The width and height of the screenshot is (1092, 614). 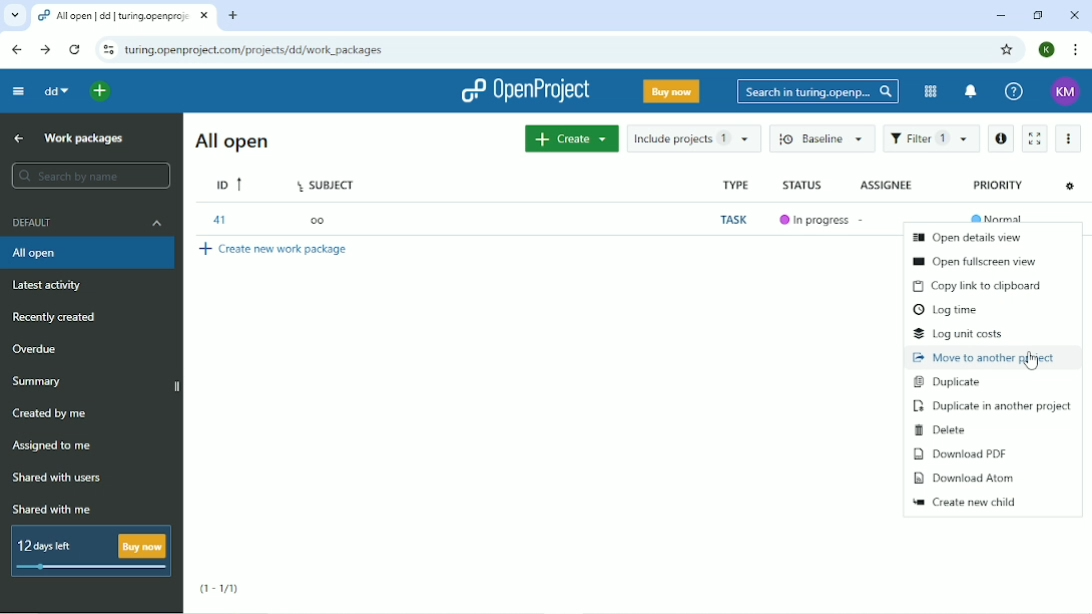 What do you see at coordinates (968, 91) in the screenshot?
I see `To notification center` at bounding box center [968, 91].